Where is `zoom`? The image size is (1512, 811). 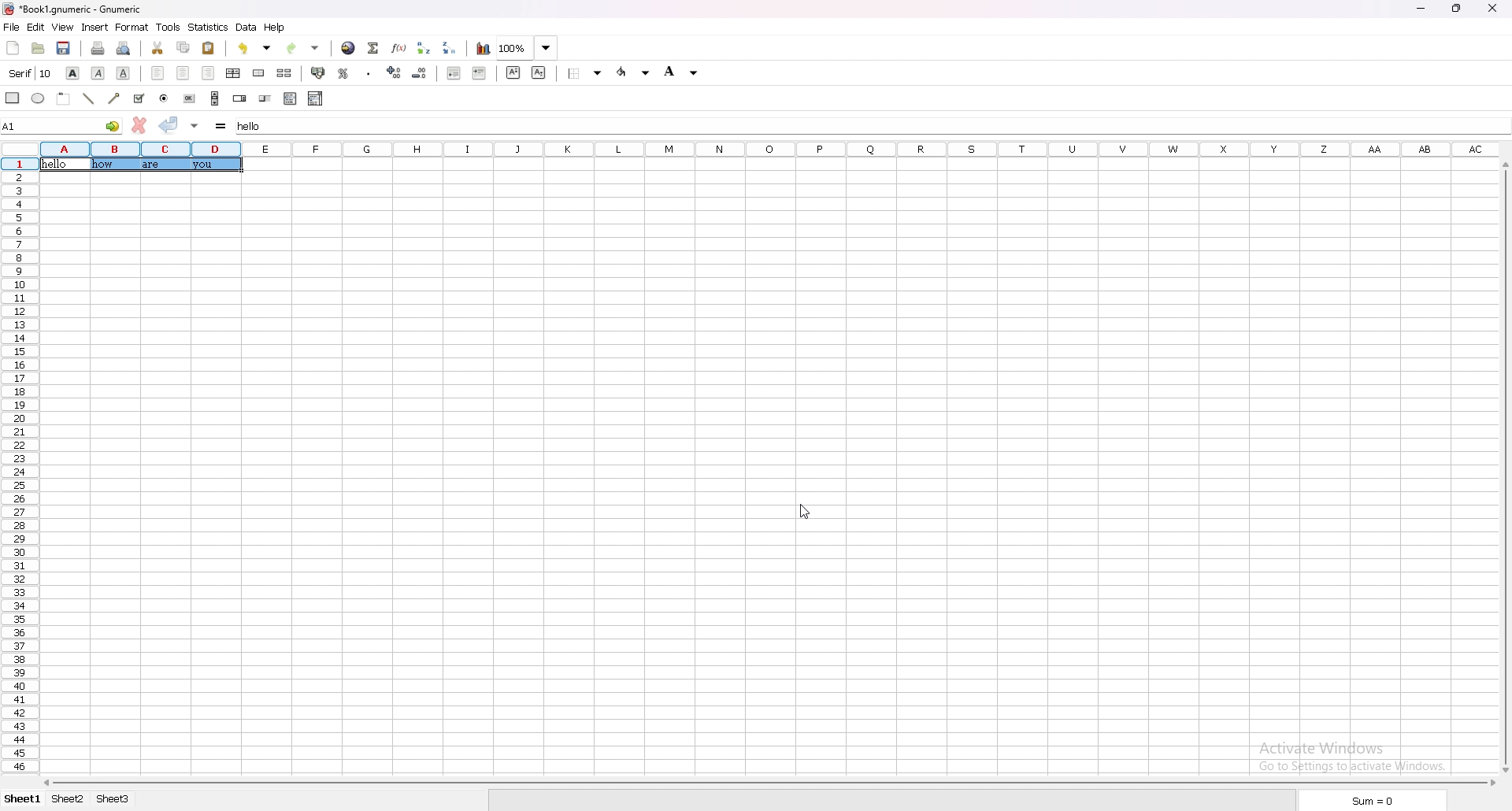
zoom is located at coordinates (528, 48).